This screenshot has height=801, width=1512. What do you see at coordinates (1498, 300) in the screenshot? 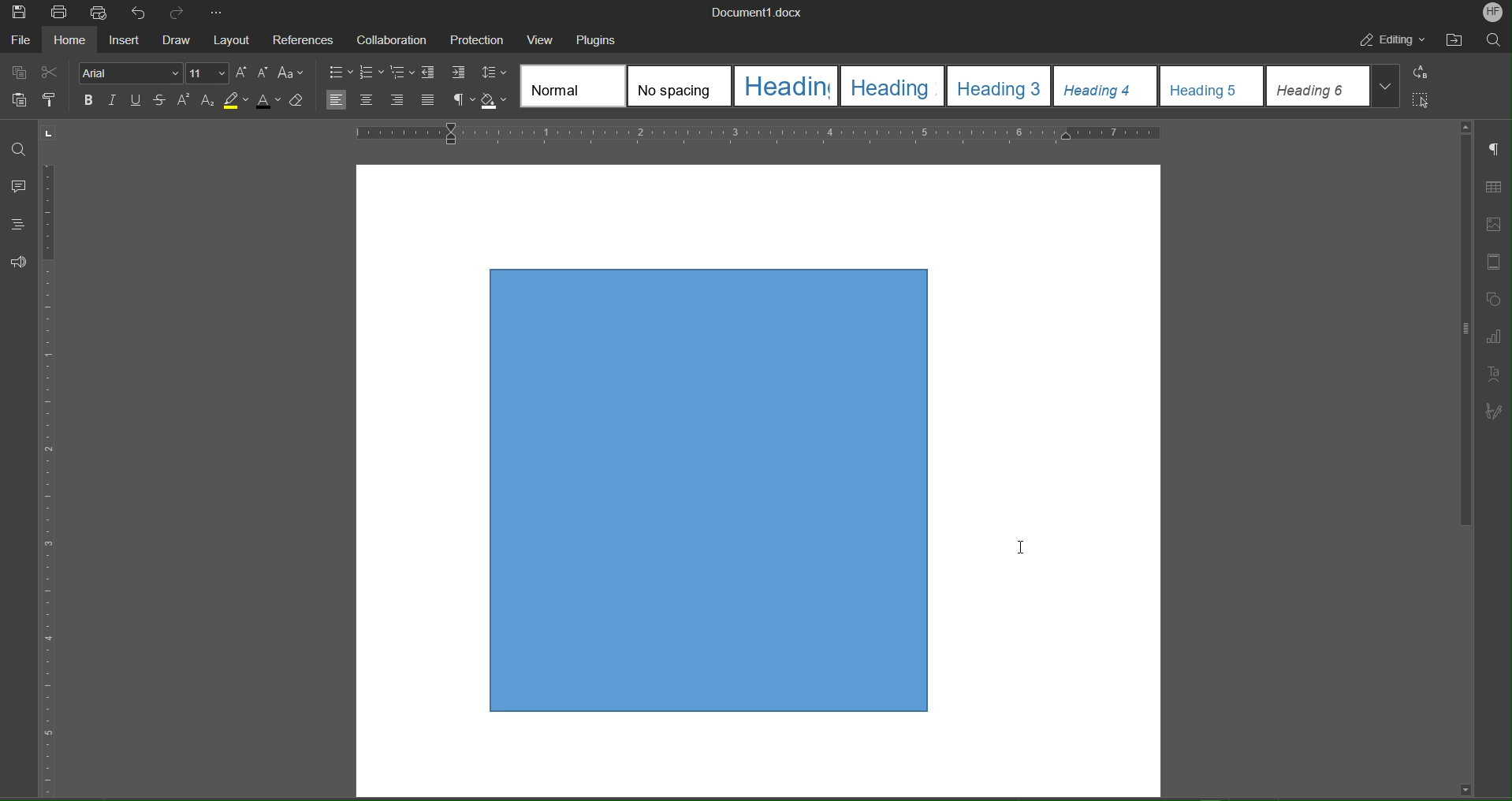
I see `Shape Settings` at bounding box center [1498, 300].